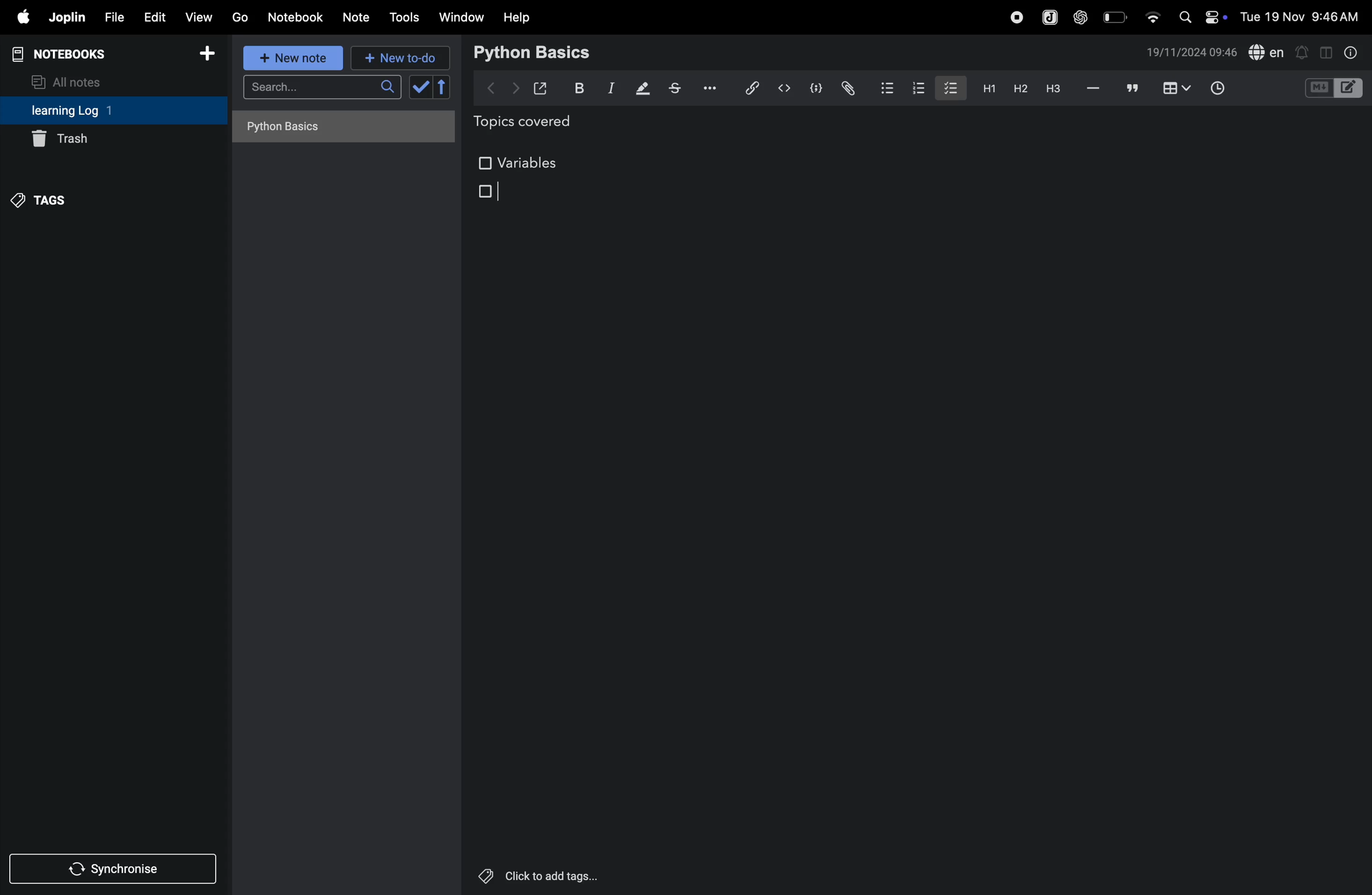 This screenshot has height=895, width=1372. What do you see at coordinates (88, 111) in the screenshot?
I see `learning log` at bounding box center [88, 111].